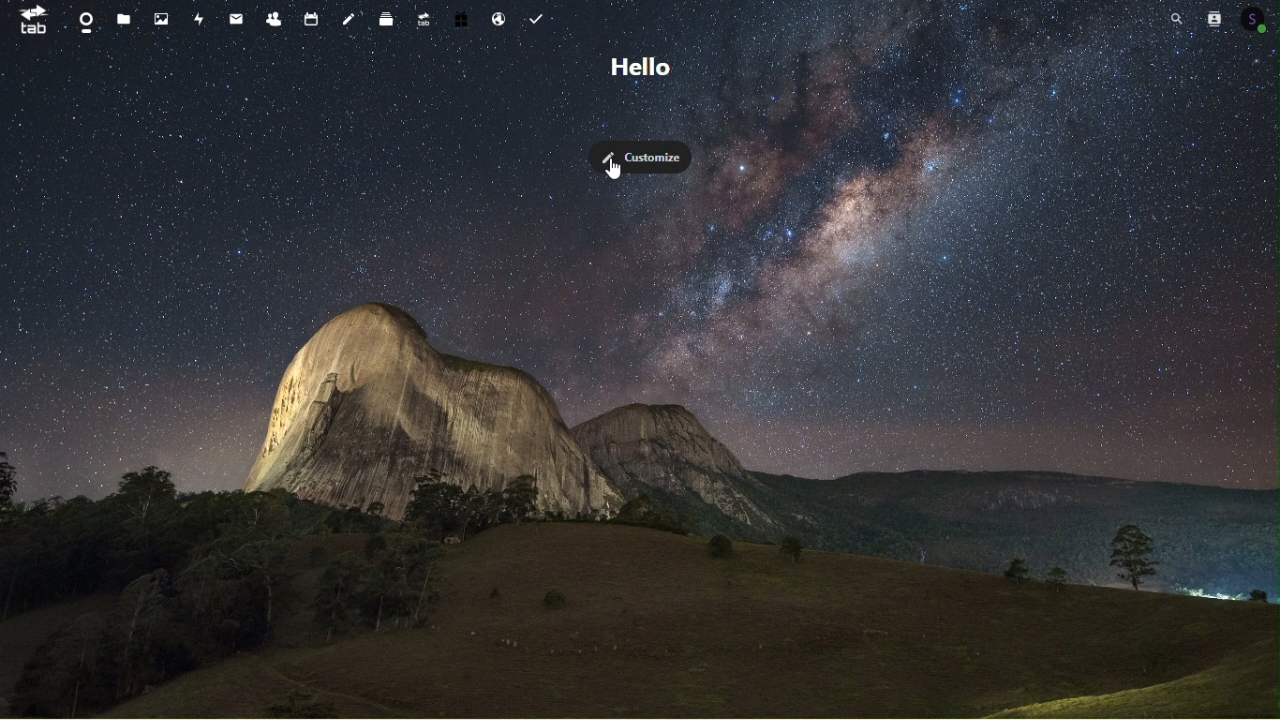 Image resolution: width=1280 pixels, height=720 pixels. What do you see at coordinates (163, 18) in the screenshot?
I see `Photos` at bounding box center [163, 18].